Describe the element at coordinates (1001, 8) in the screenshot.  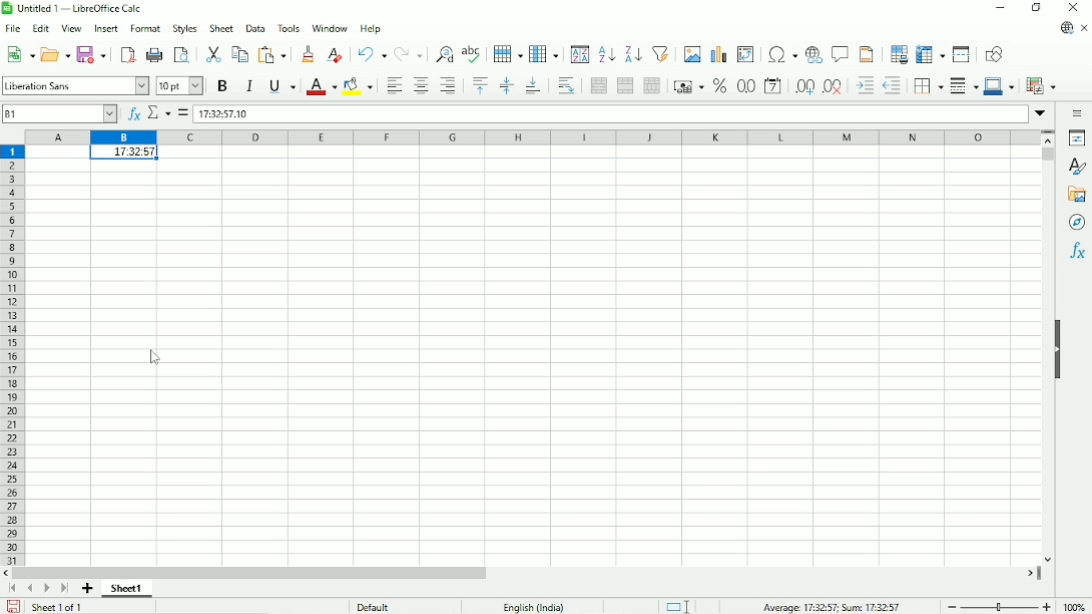
I see `Minimize` at that location.